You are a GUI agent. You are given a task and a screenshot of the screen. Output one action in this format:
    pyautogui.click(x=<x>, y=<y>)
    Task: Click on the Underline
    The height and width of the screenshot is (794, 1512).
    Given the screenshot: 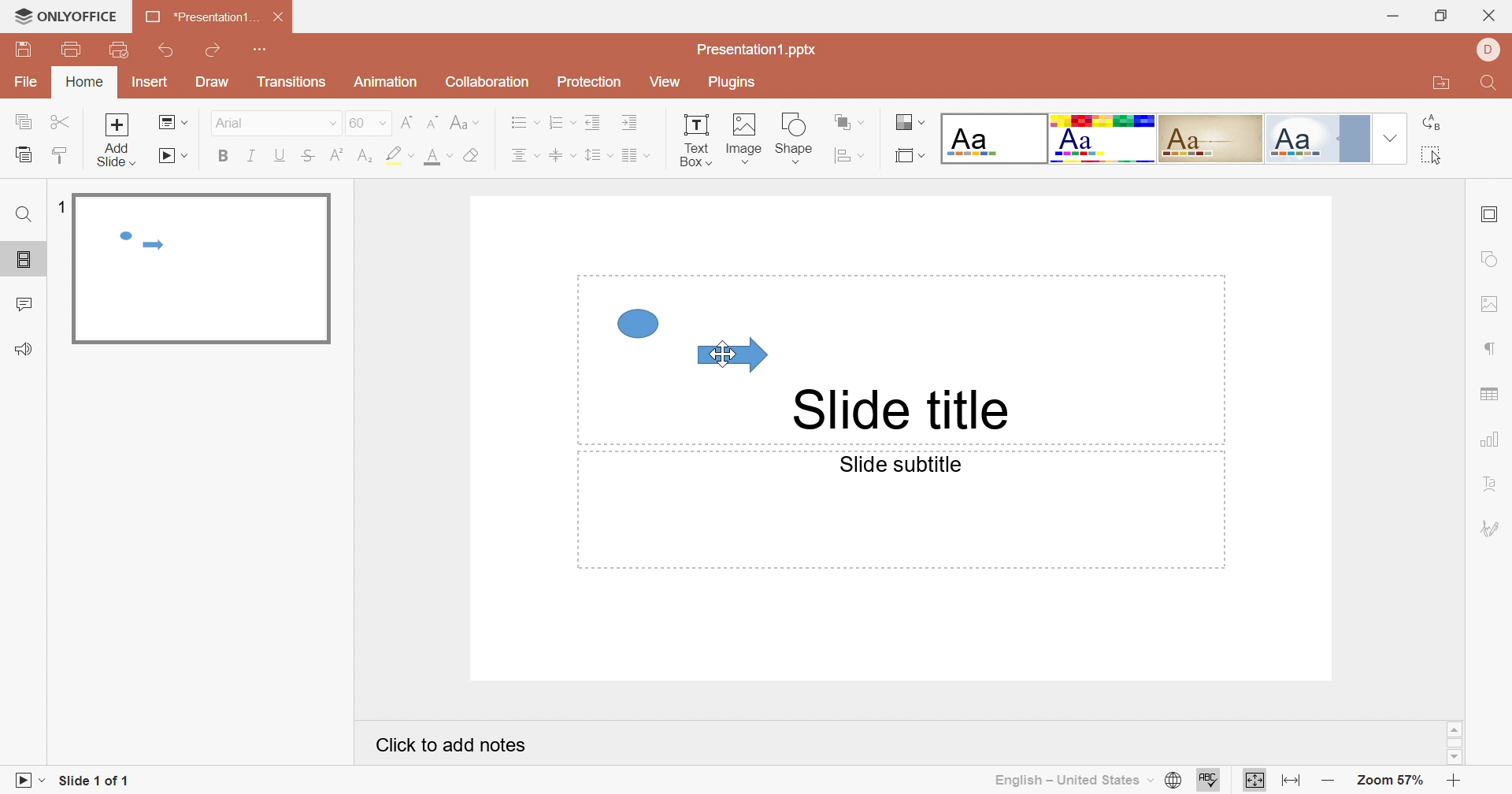 What is the action you would take?
    pyautogui.click(x=280, y=160)
    